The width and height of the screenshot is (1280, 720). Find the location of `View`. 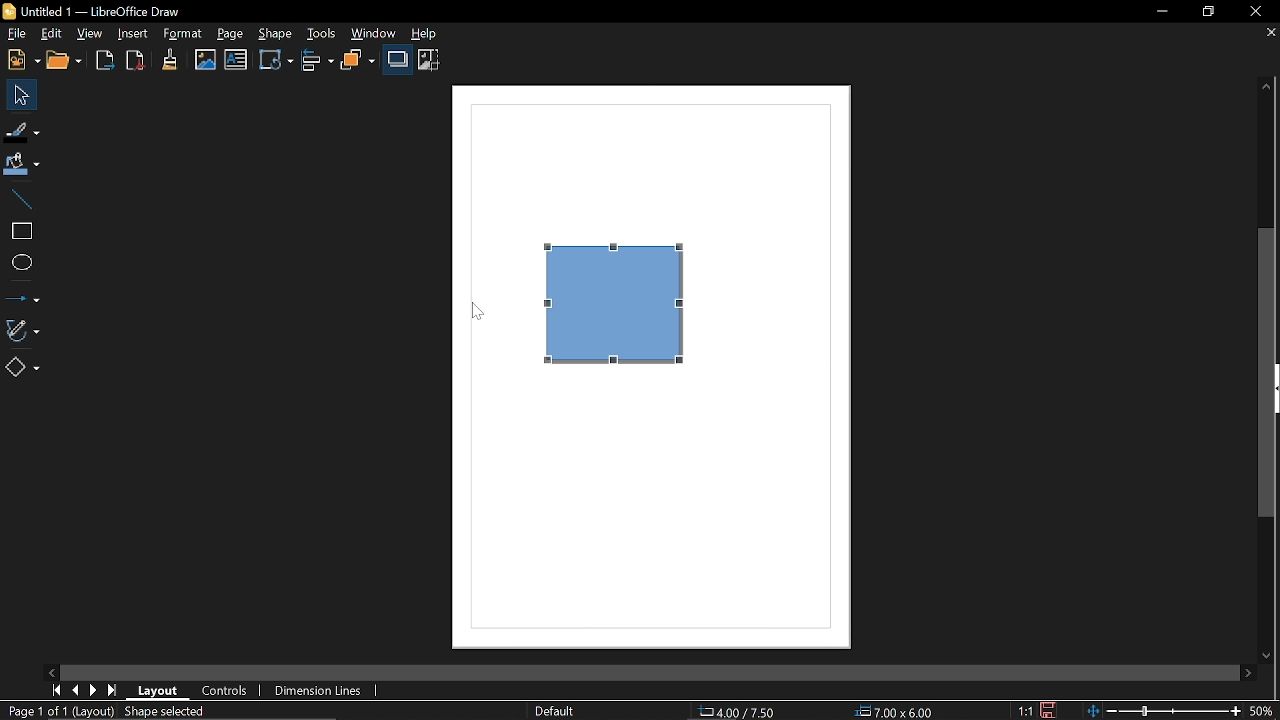

View is located at coordinates (90, 34).